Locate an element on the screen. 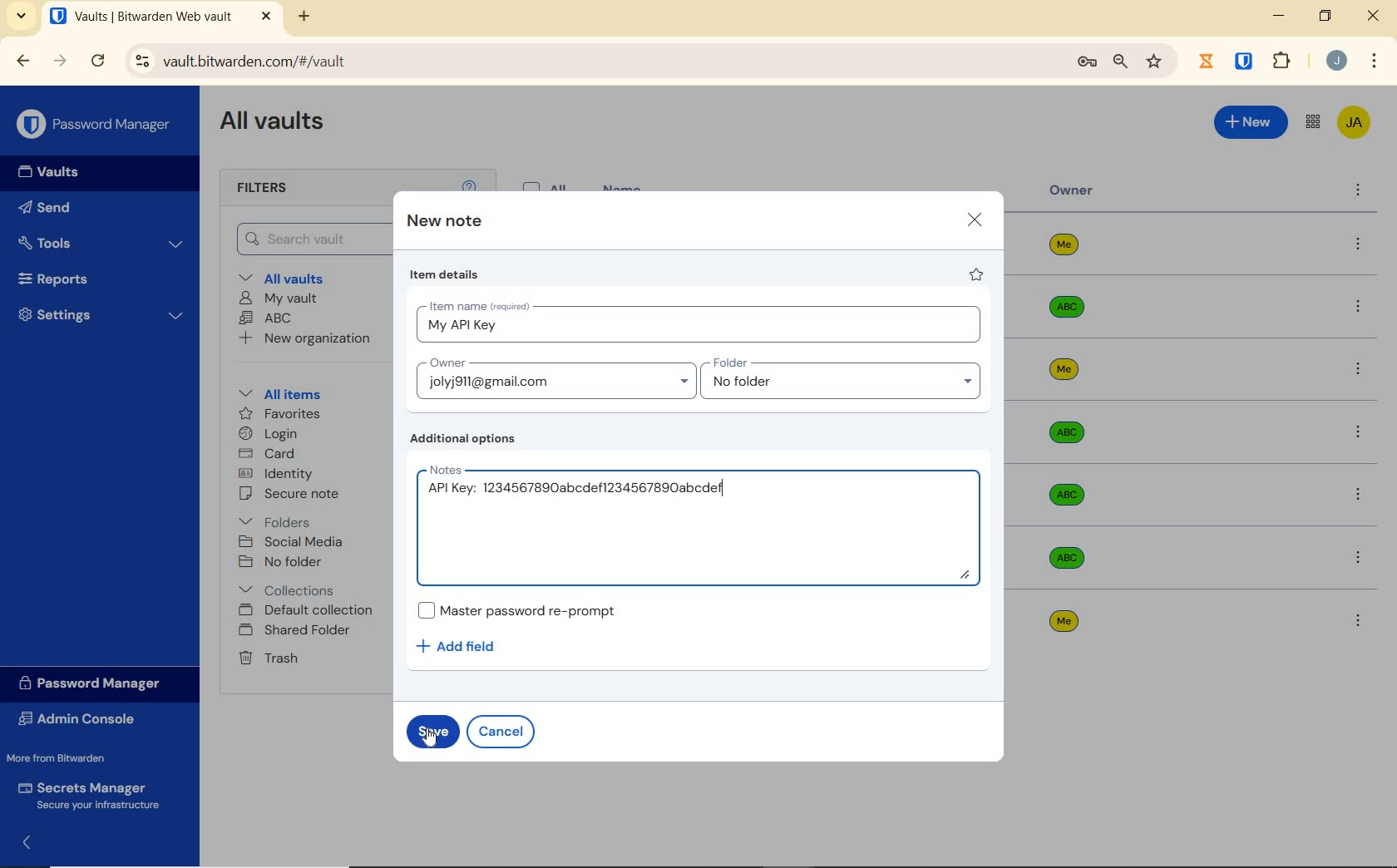 Image resolution: width=1397 pixels, height=868 pixels. help is located at coordinates (469, 184).